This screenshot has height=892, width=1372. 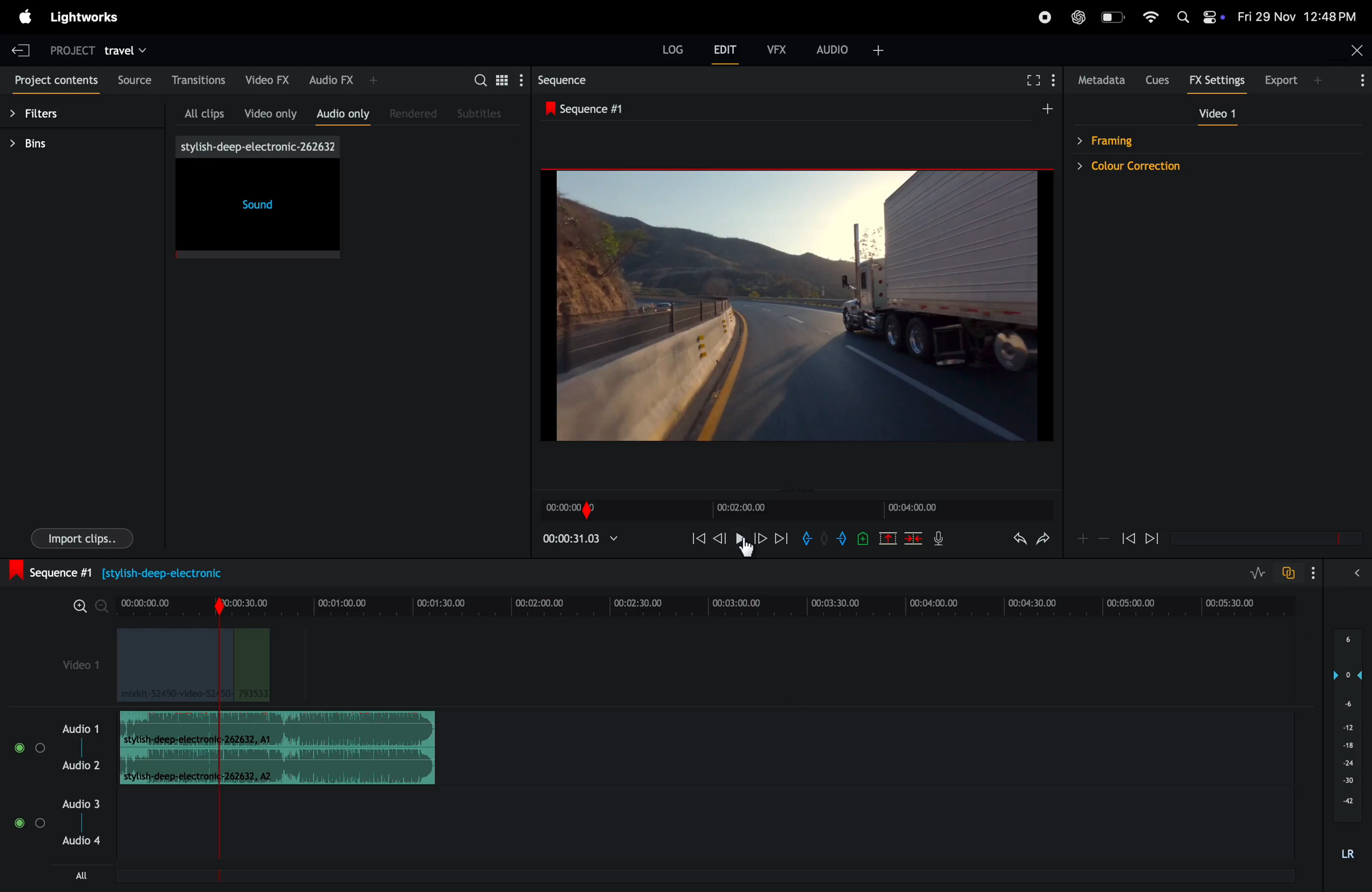 I want to click on video fx, so click(x=270, y=78).